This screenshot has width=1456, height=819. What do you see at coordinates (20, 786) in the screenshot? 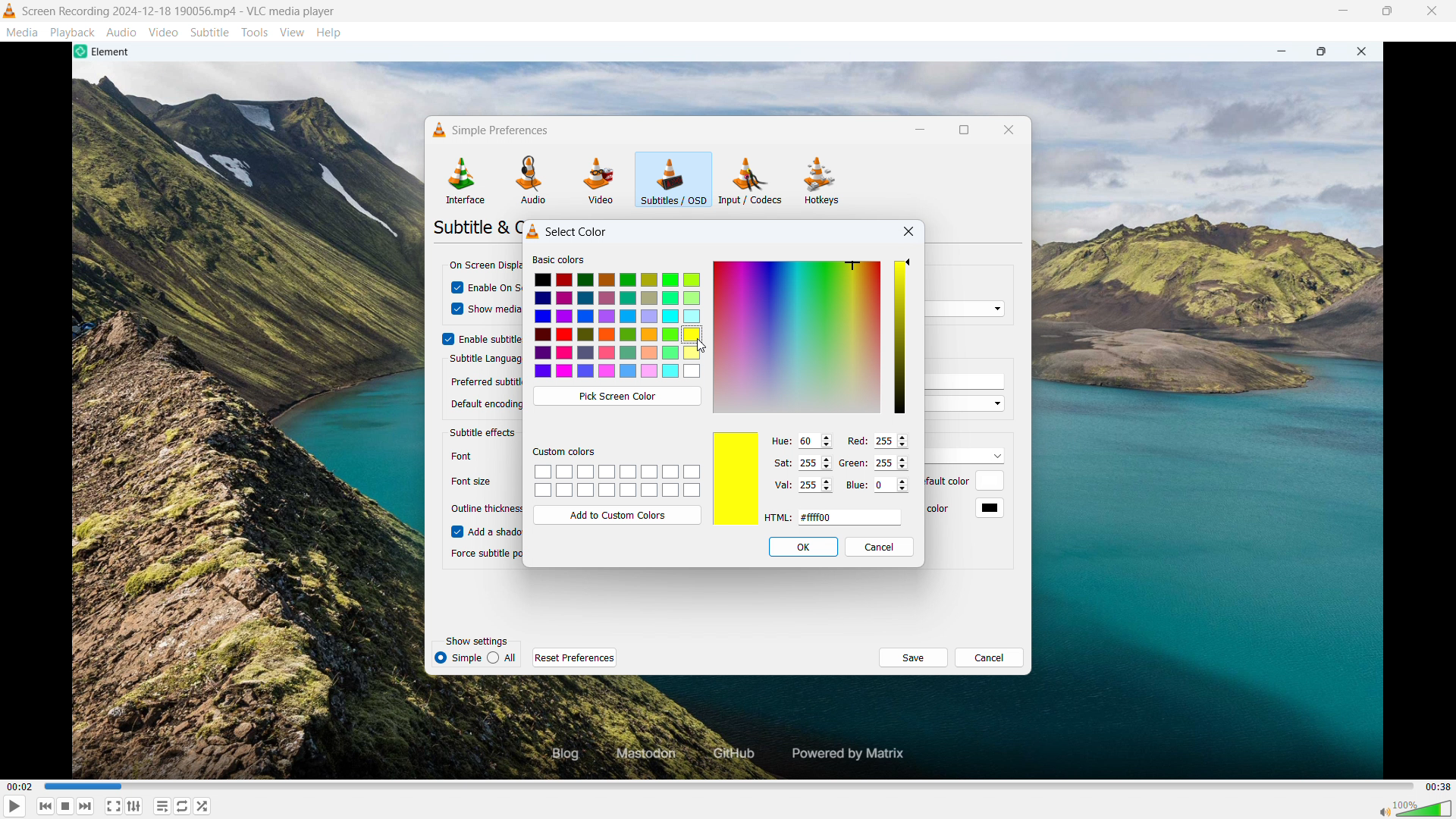
I see `Time elapsed ` at bounding box center [20, 786].